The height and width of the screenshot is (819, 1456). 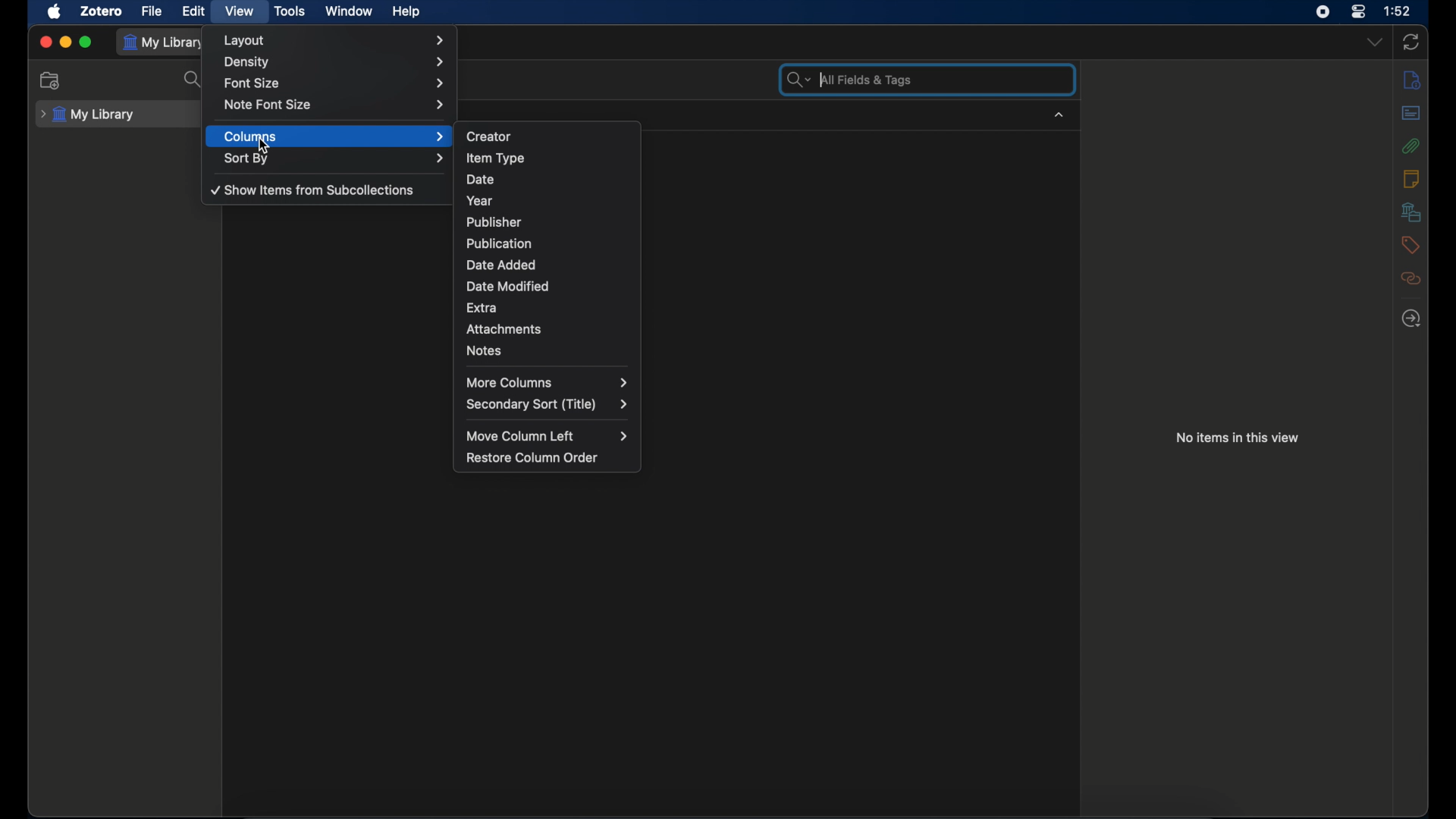 I want to click on my library, so click(x=87, y=115).